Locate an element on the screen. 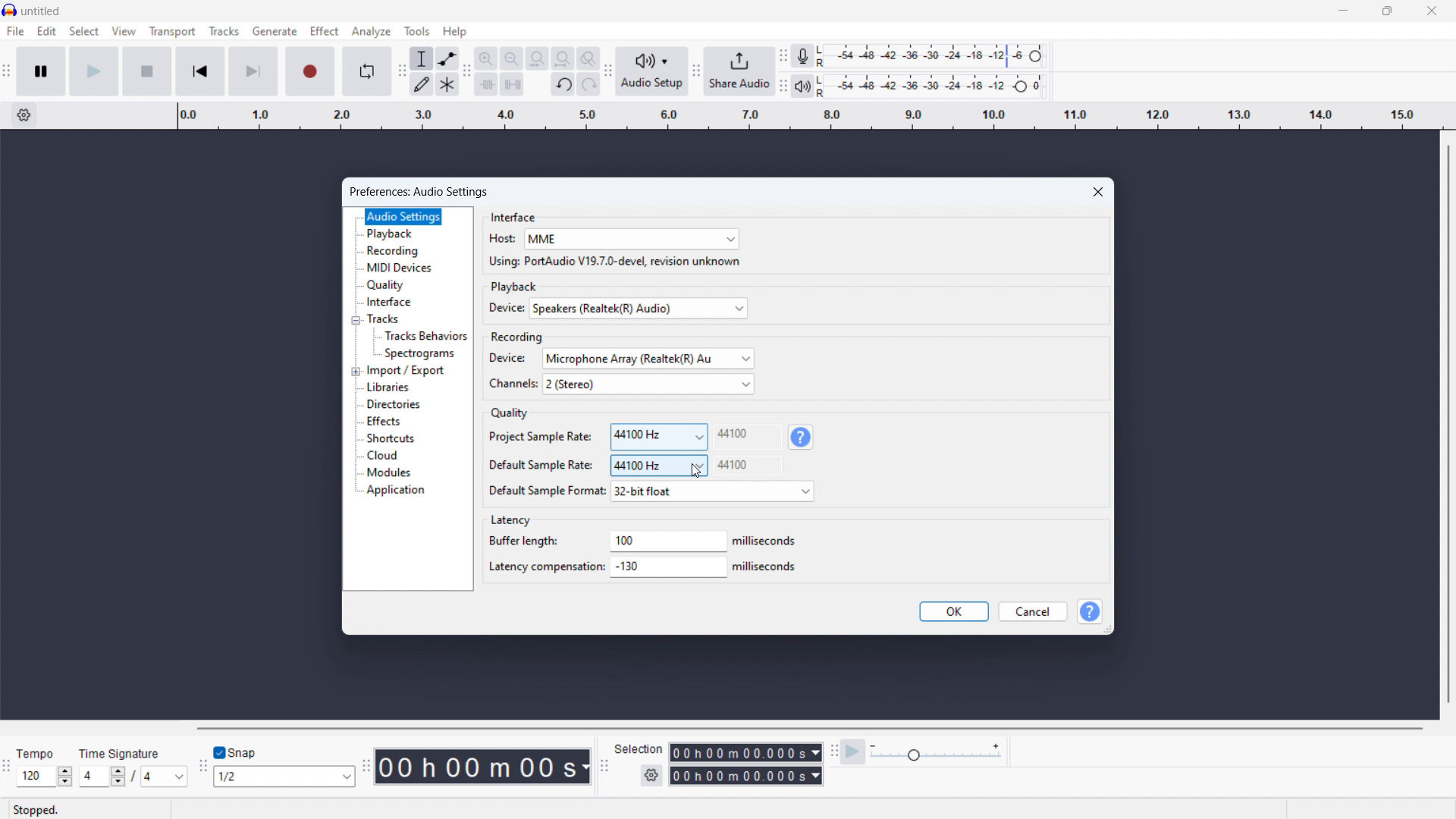 This screenshot has height=819, width=1456. tools toolbar is located at coordinates (400, 73).